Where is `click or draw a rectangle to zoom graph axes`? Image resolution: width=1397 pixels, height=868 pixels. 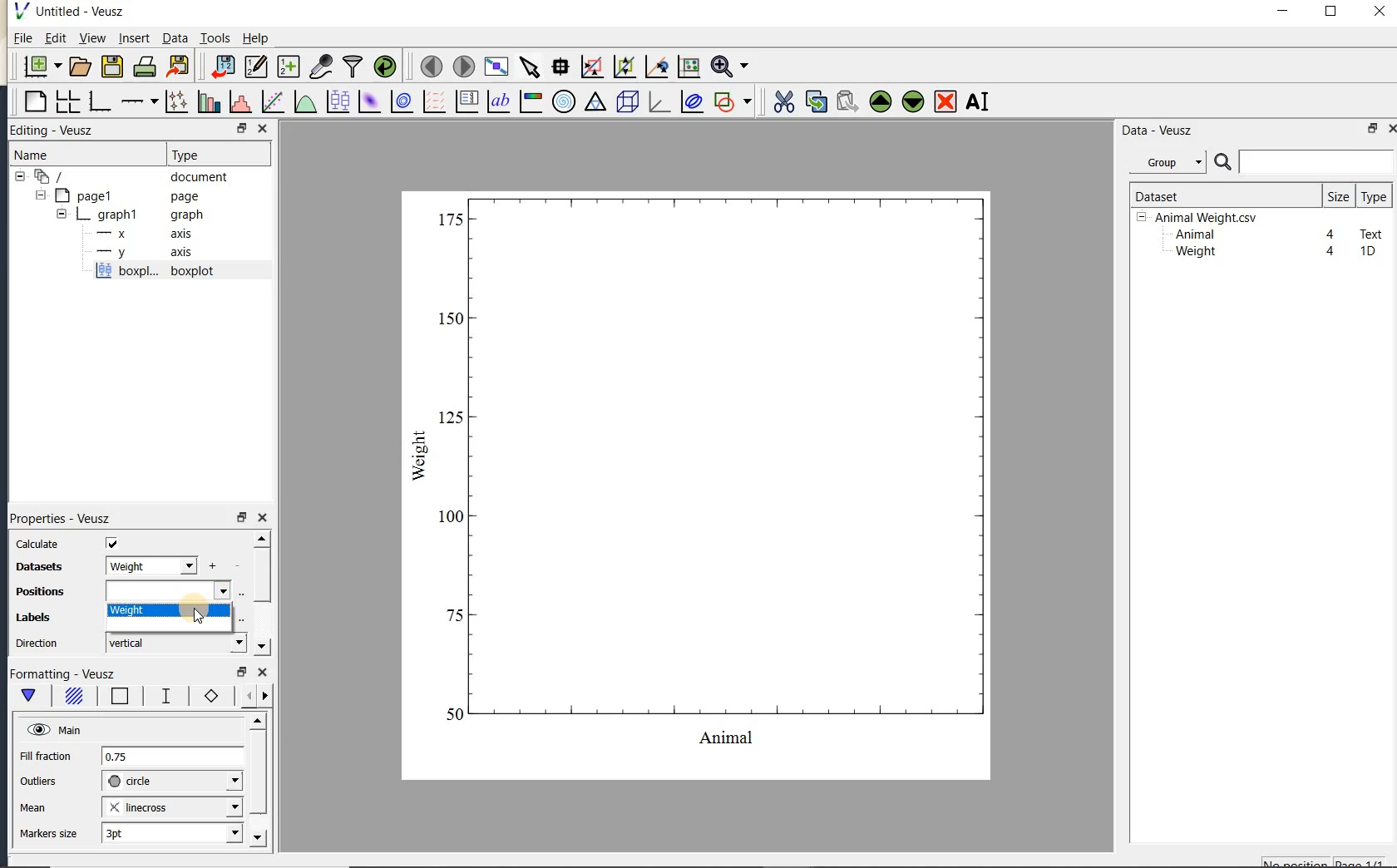 click or draw a rectangle to zoom graph axes is located at coordinates (591, 67).